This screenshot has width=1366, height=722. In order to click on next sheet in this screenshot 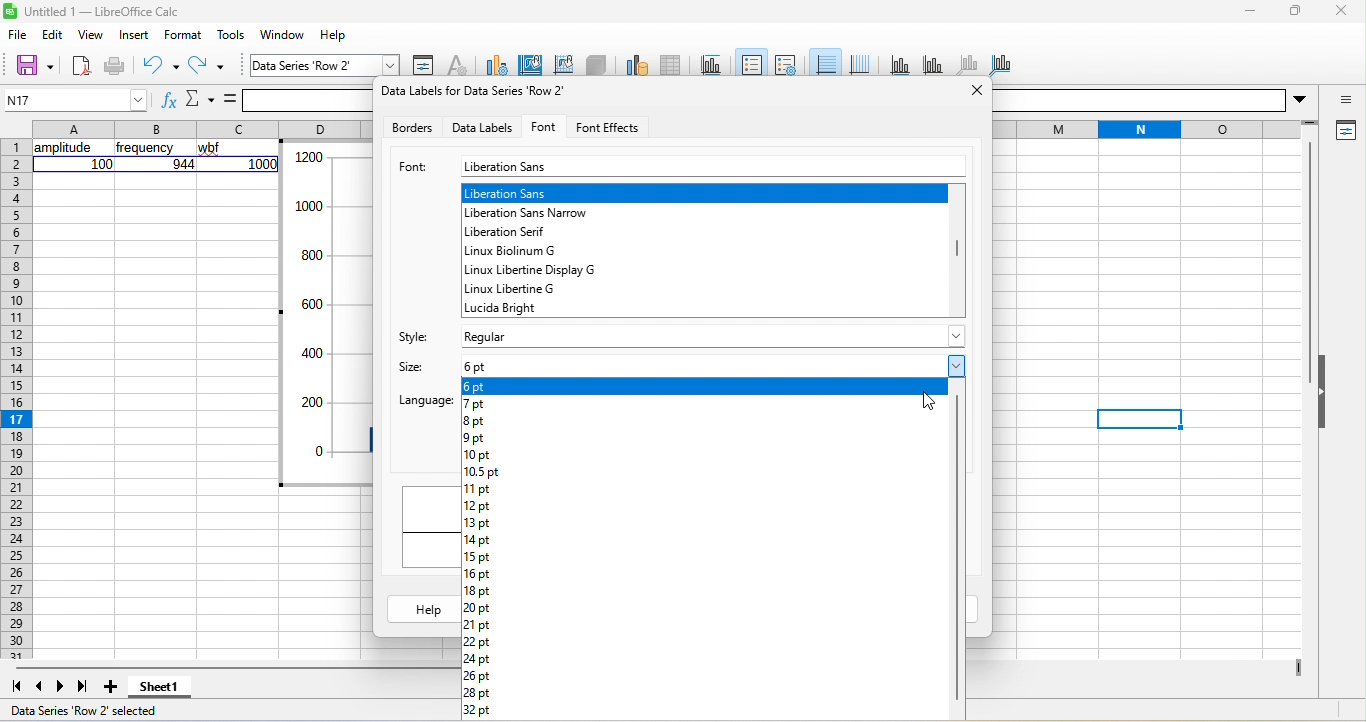, I will do `click(62, 685)`.